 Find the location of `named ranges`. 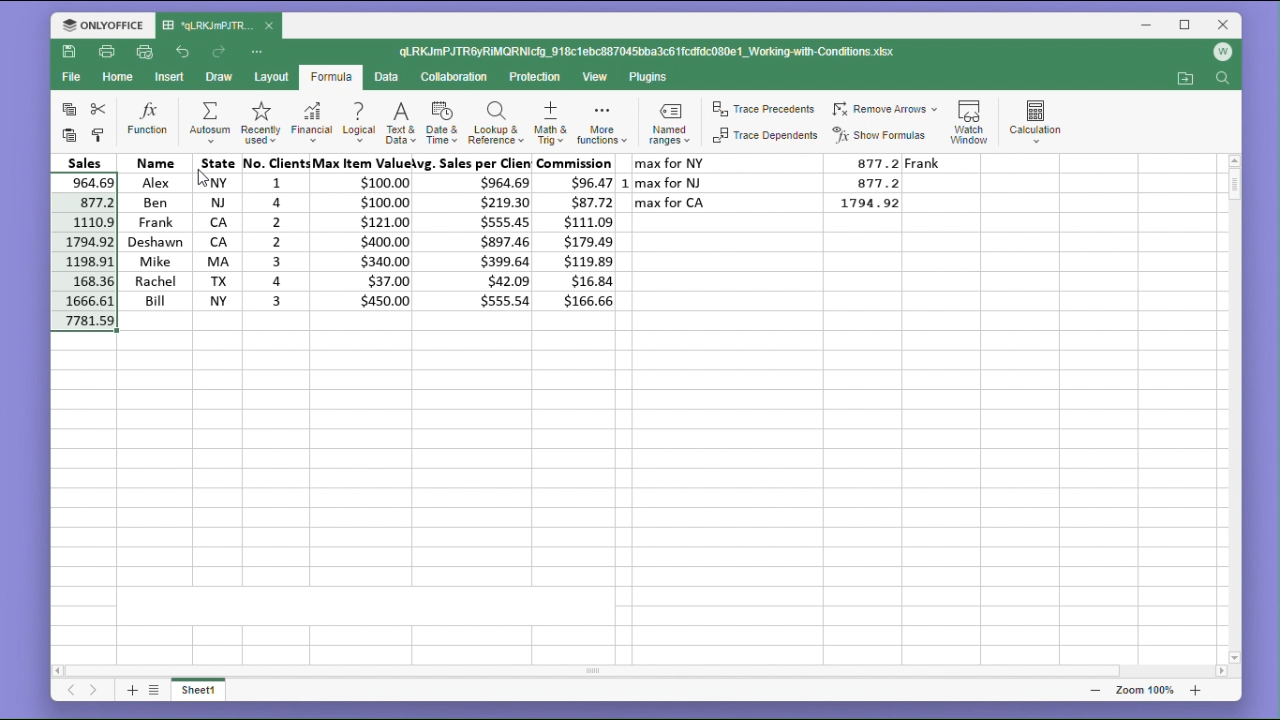

named ranges is located at coordinates (667, 126).